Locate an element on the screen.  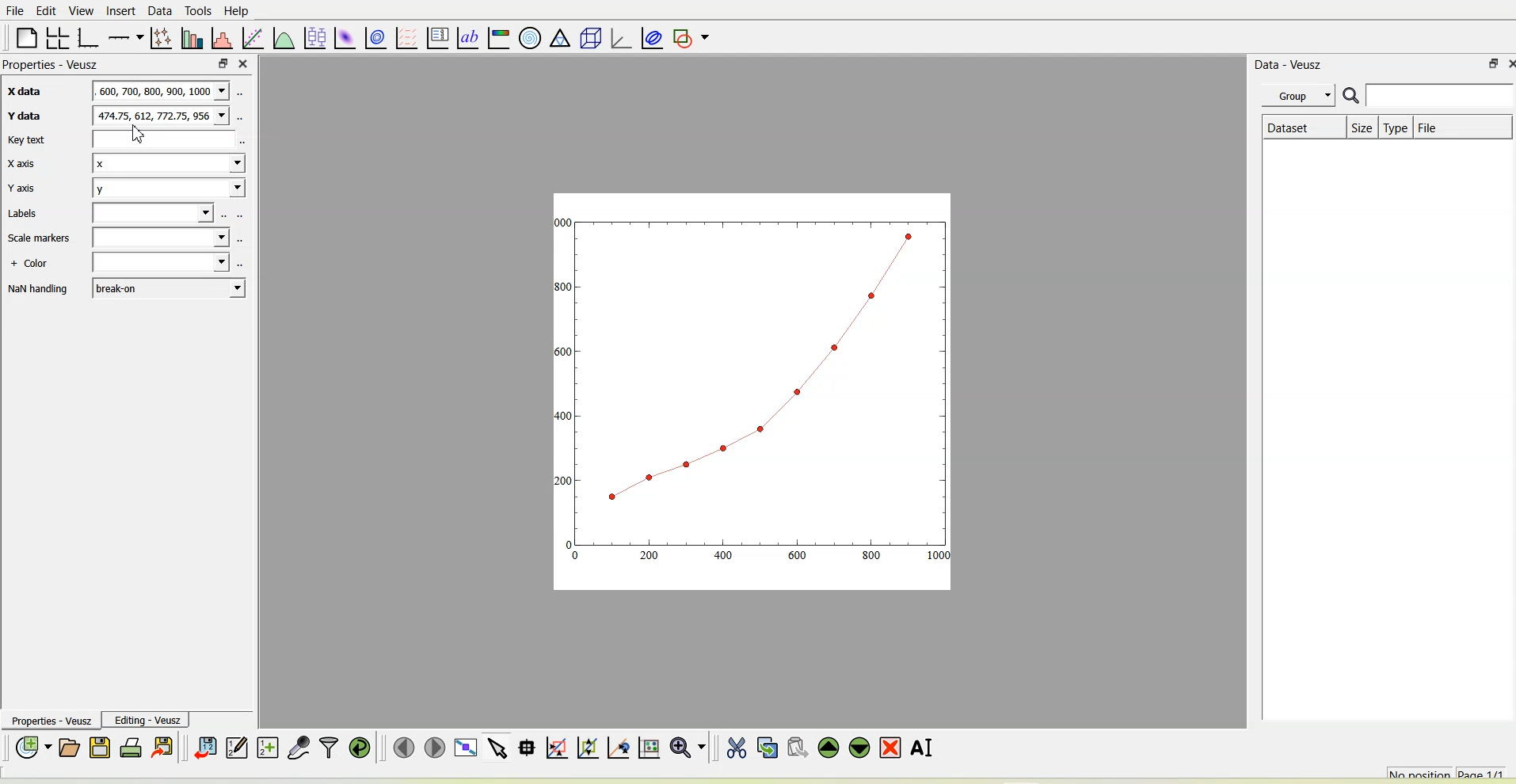
600 is located at coordinates (562, 349).